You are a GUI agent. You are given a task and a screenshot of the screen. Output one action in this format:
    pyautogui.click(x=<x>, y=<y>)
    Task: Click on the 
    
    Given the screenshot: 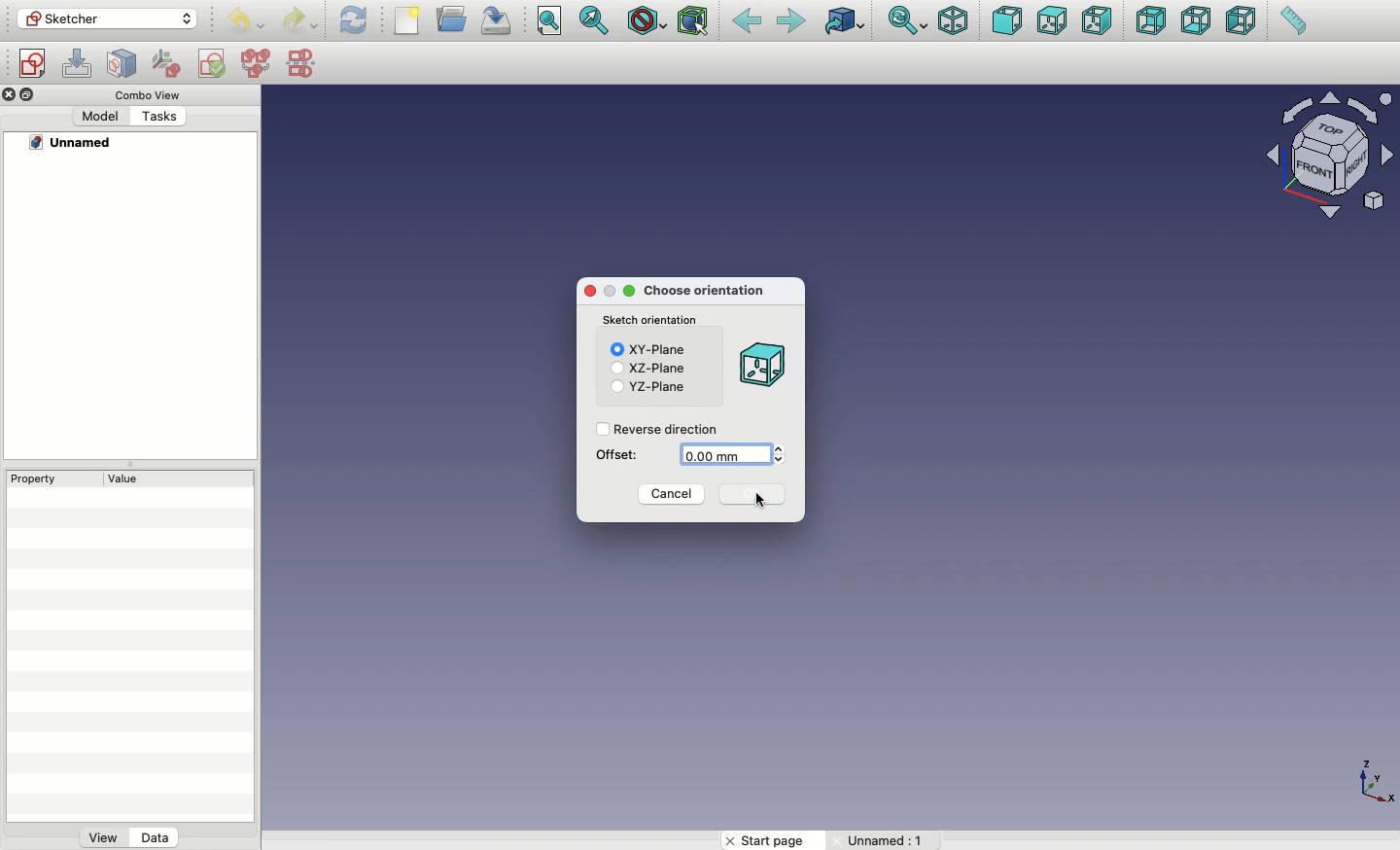 What is the action you would take?
    pyautogui.click(x=99, y=116)
    